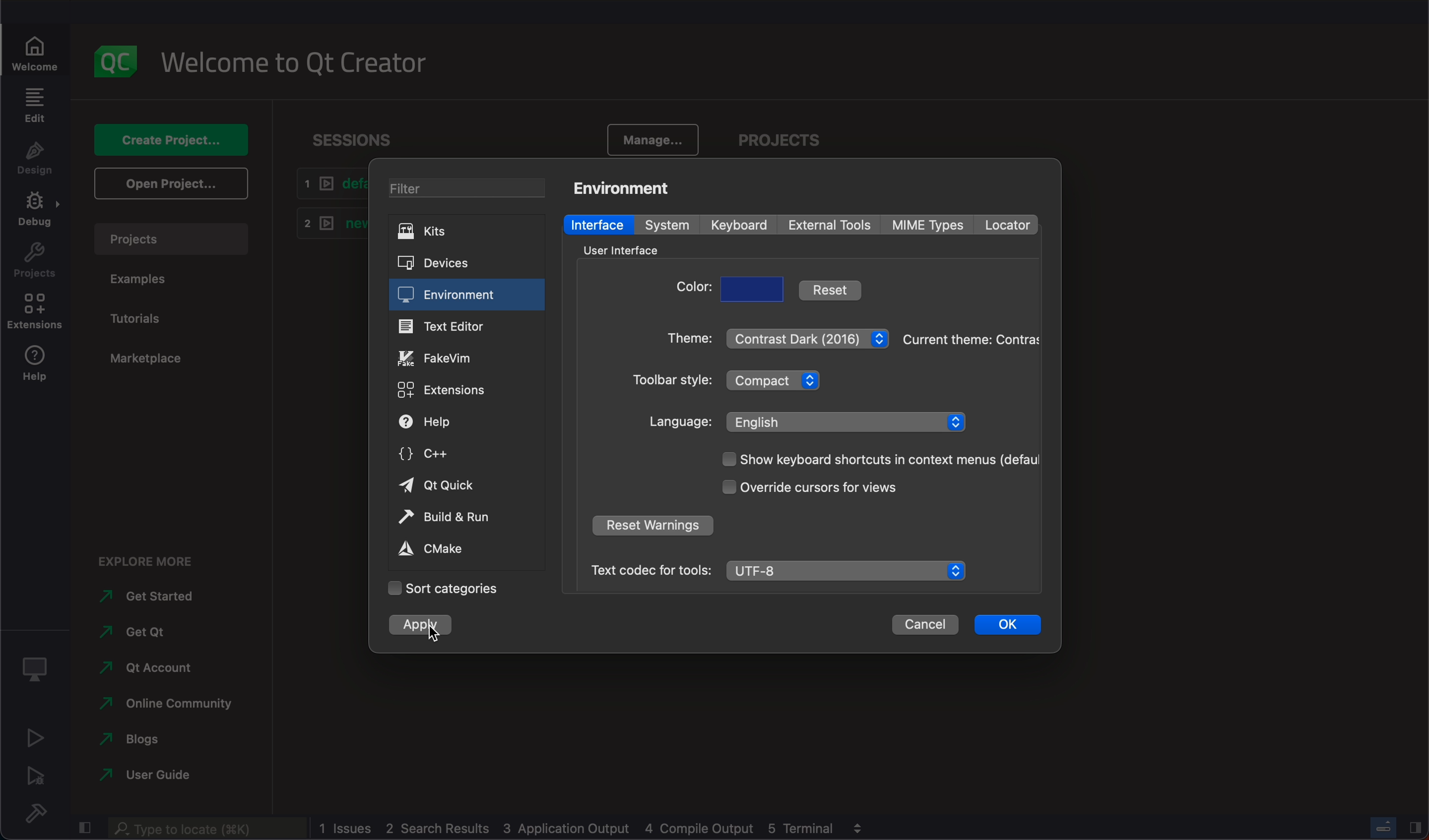 Image resolution: width=1429 pixels, height=840 pixels. Describe the element at coordinates (1383, 825) in the screenshot. I see `progress bar` at that location.